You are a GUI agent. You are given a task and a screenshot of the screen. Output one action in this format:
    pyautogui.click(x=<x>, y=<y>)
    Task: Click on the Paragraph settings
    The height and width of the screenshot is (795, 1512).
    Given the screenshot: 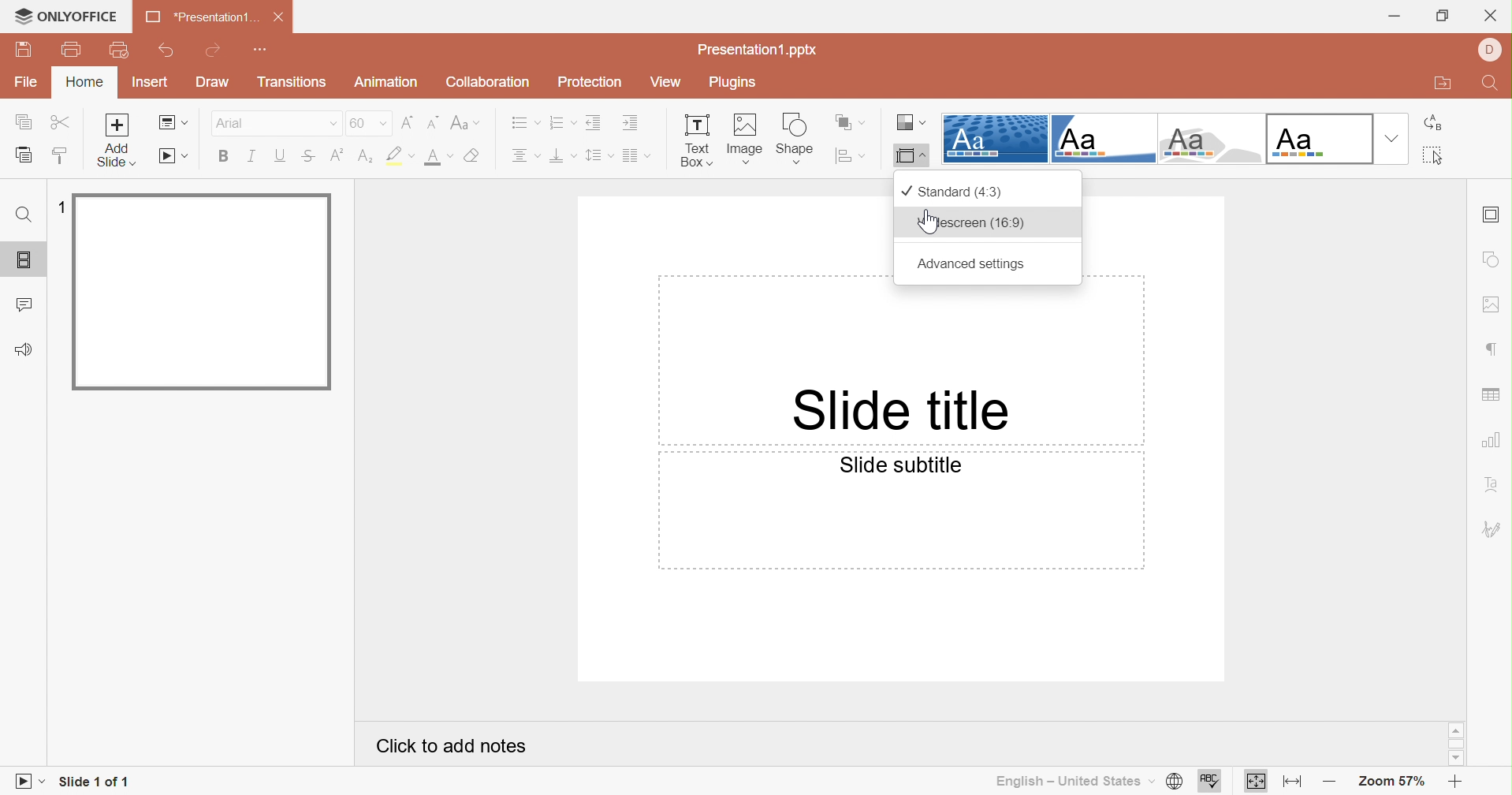 What is the action you would take?
    pyautogui.click(x=1495, y=349)
    